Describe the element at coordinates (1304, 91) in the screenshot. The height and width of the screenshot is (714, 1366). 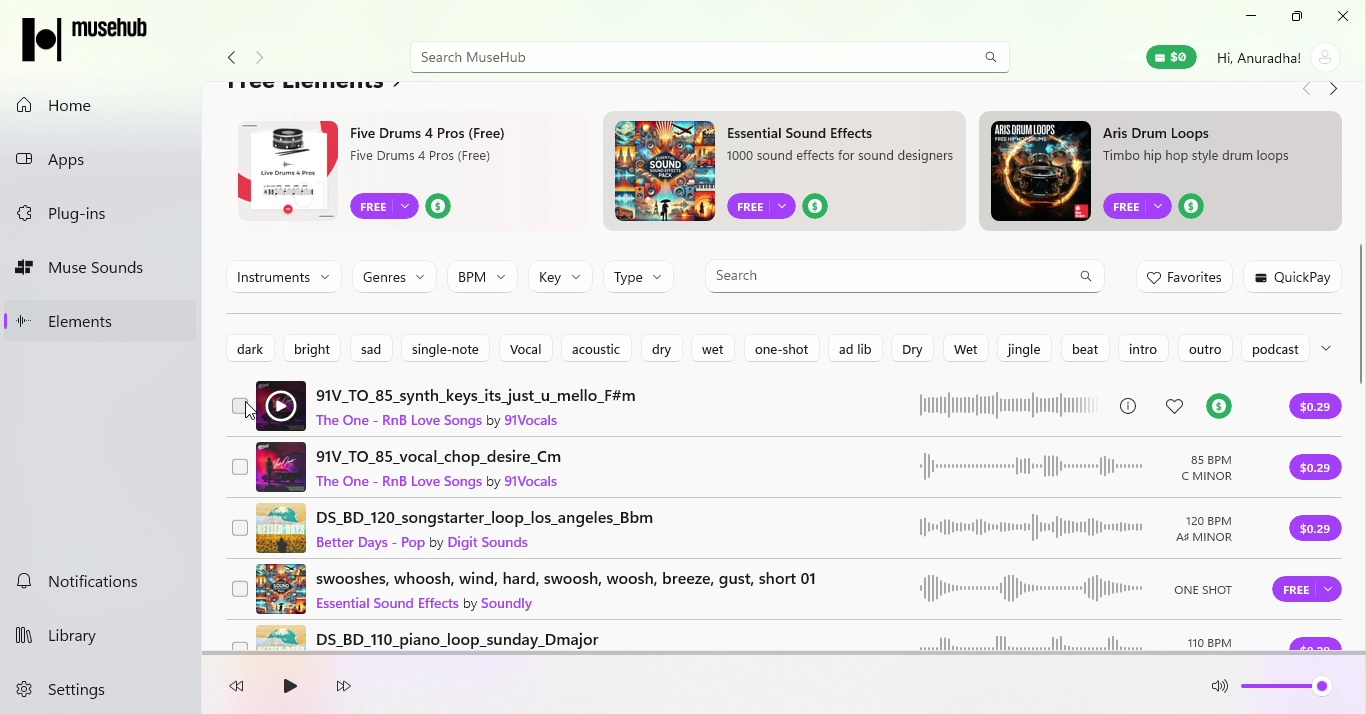
I see `Navigate back` at that location.